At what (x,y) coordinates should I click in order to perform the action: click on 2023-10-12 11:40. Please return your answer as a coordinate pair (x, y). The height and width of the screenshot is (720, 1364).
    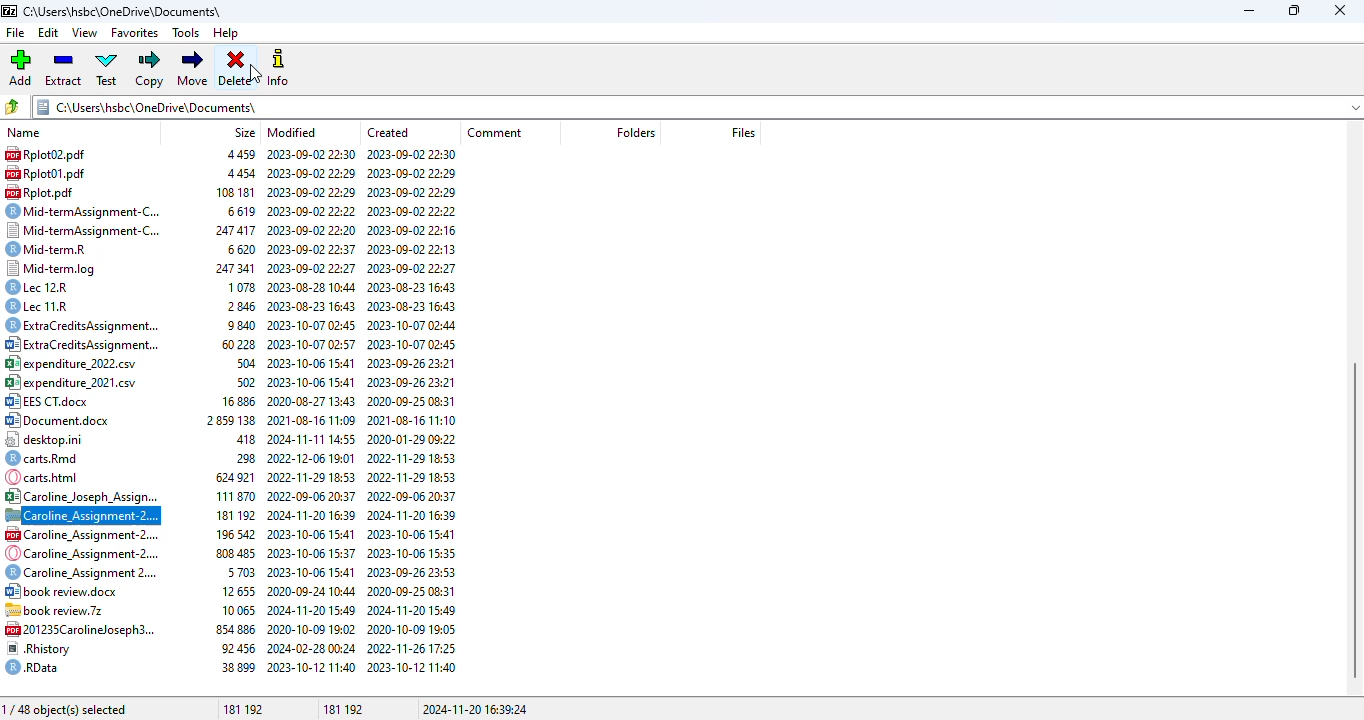
    Looking at the image, I should click on (414, 667).